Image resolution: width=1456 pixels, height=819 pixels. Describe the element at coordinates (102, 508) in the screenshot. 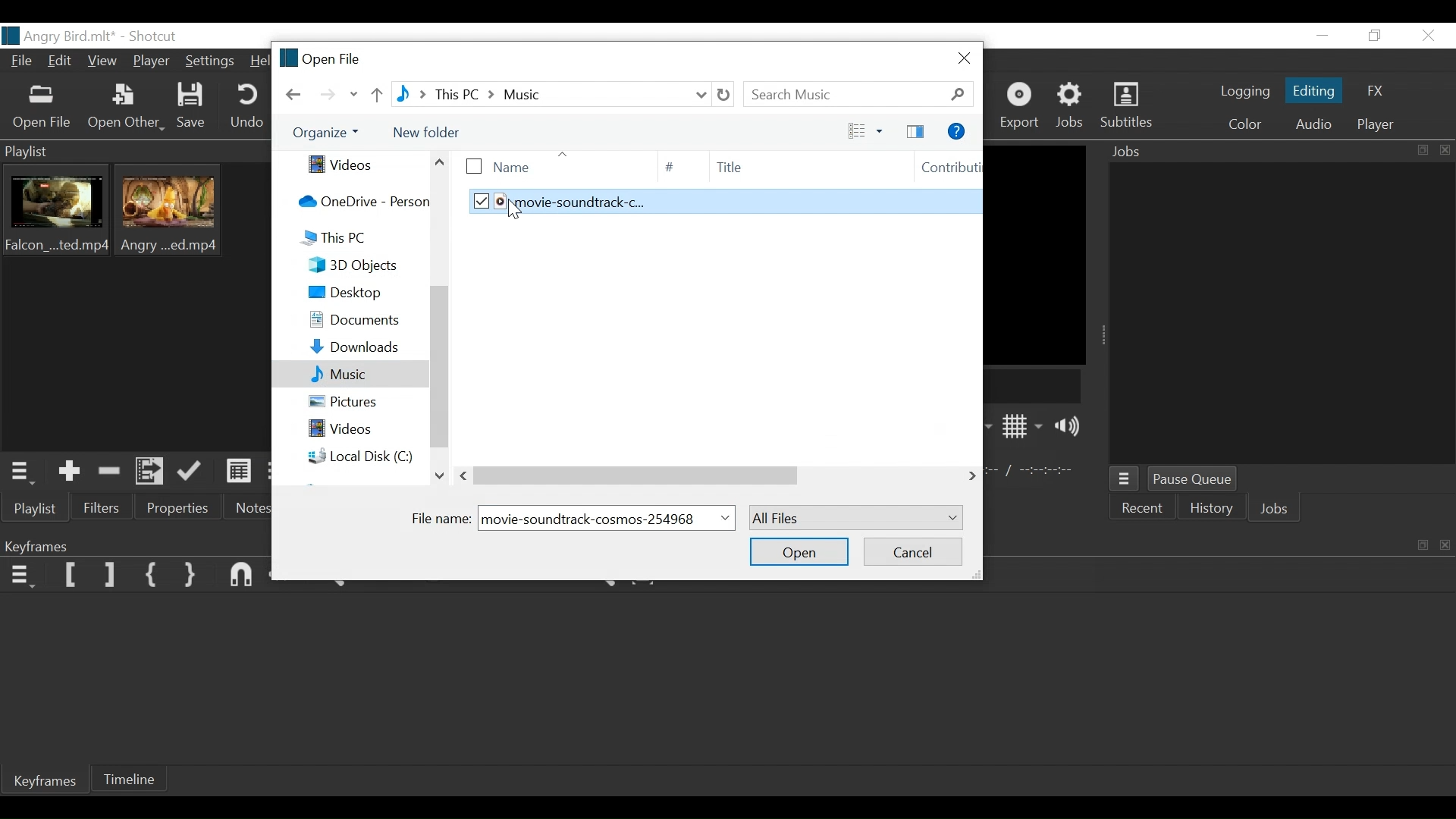

I see `Filter` at that location.